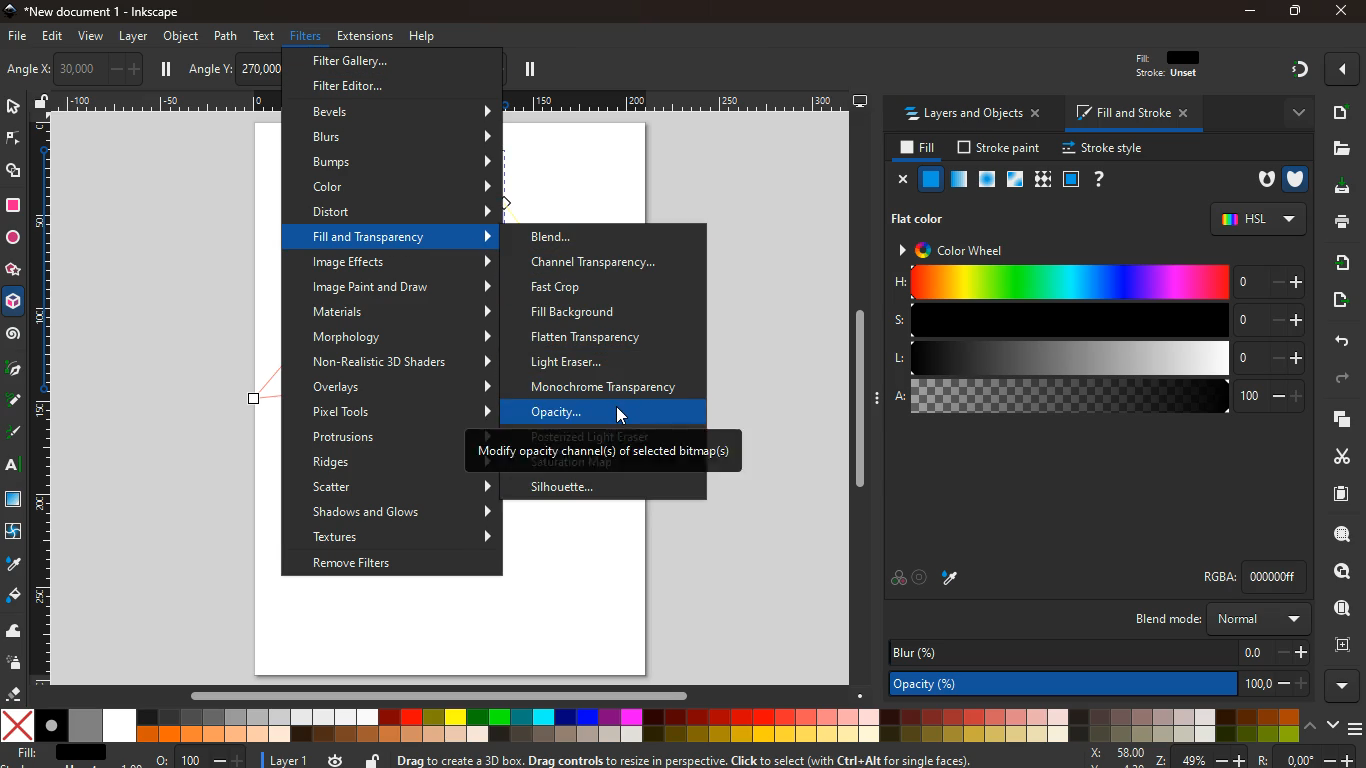  What do you see at coordinates (16, 173) in the screenshot?
I see `shapes` at bounding box center [16, 173].